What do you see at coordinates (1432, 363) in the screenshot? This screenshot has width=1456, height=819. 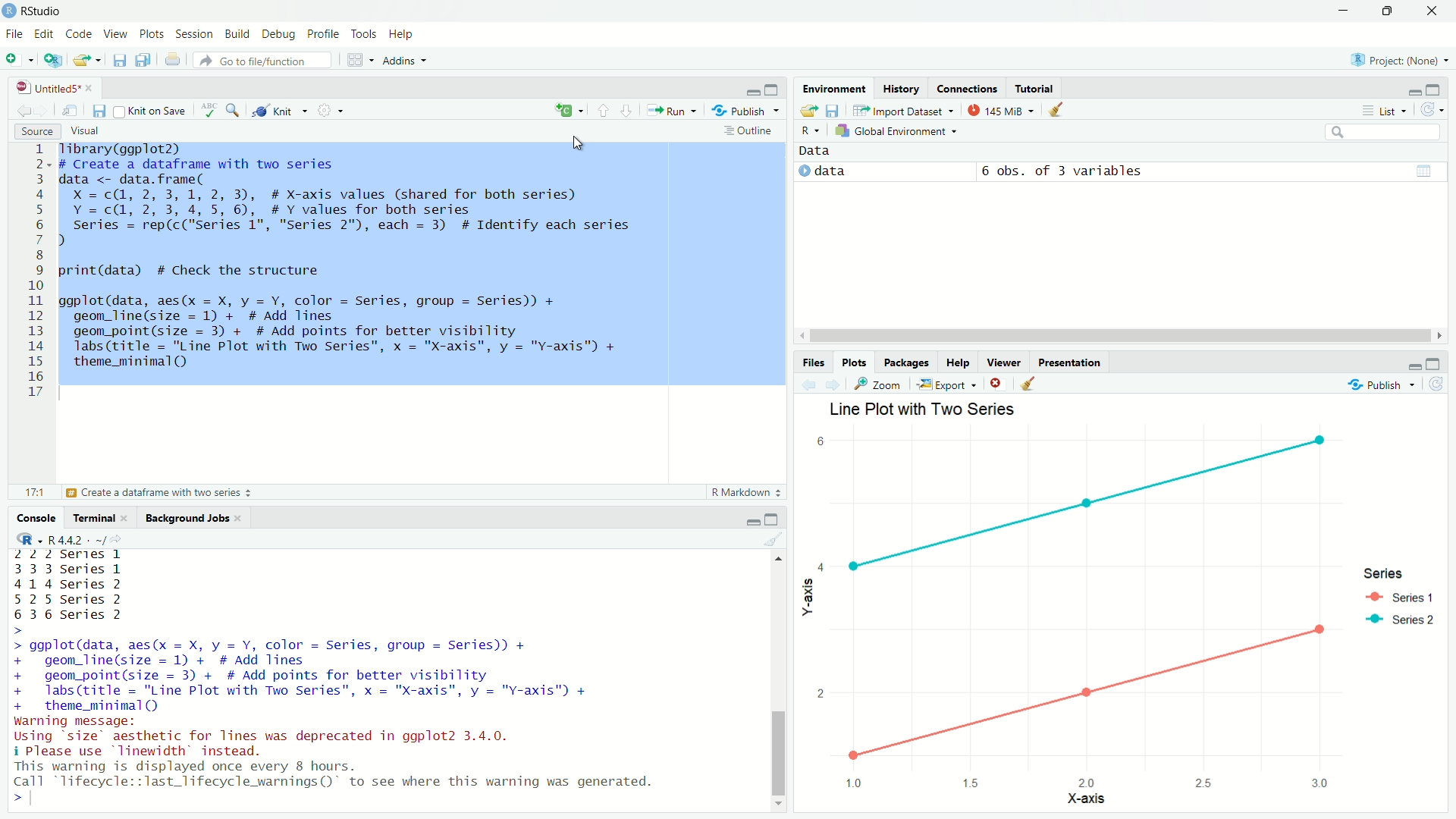 I see `Maximize` at bounding box center [1432, 363].